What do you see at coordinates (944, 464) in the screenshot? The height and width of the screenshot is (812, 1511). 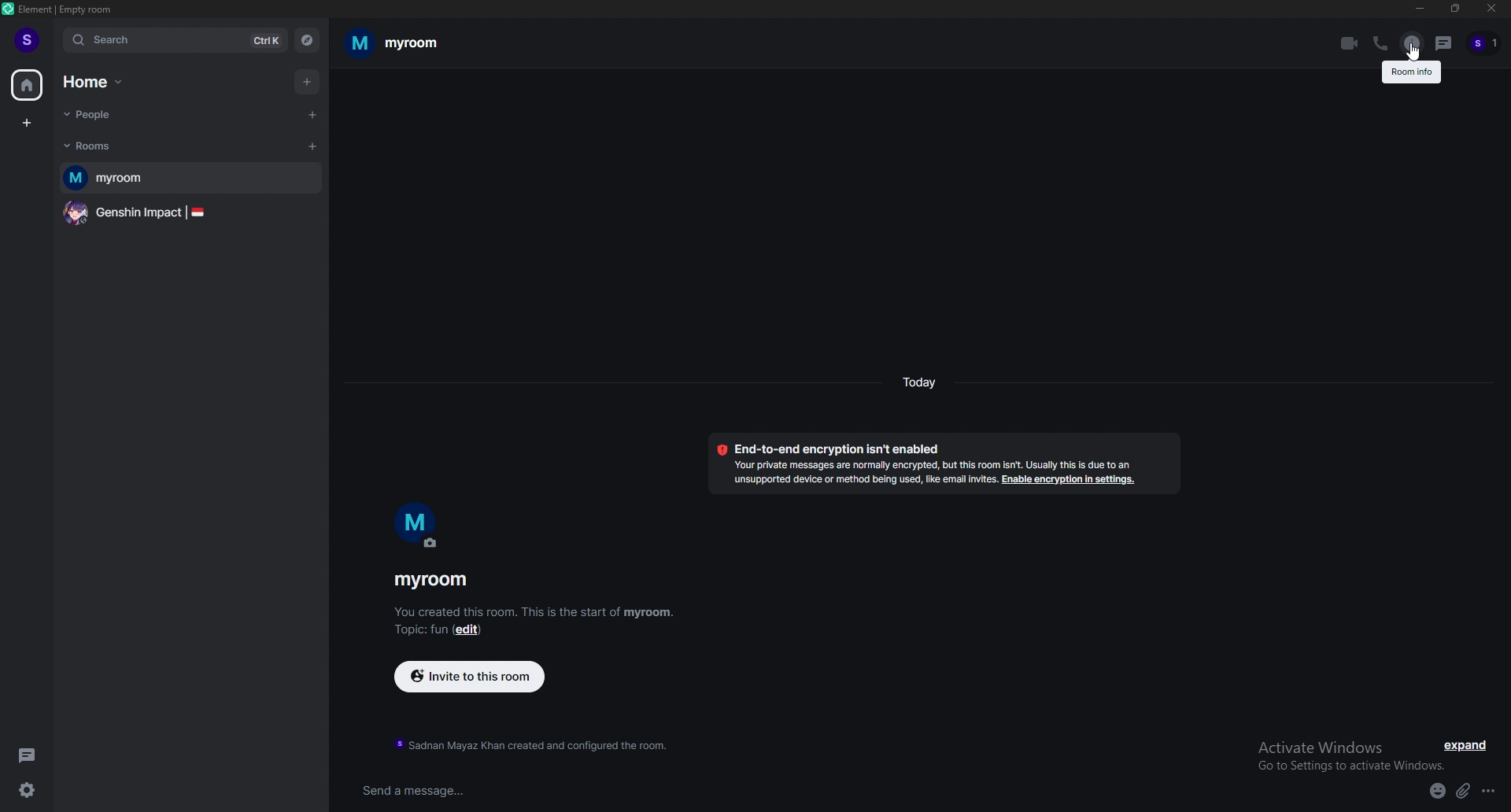 I see `Encryption enabled Messages in this room are end-to-end encrypted. When people join, you can verify them in their profile, just tap on their profile picture.` at bounding box center [944, 464].